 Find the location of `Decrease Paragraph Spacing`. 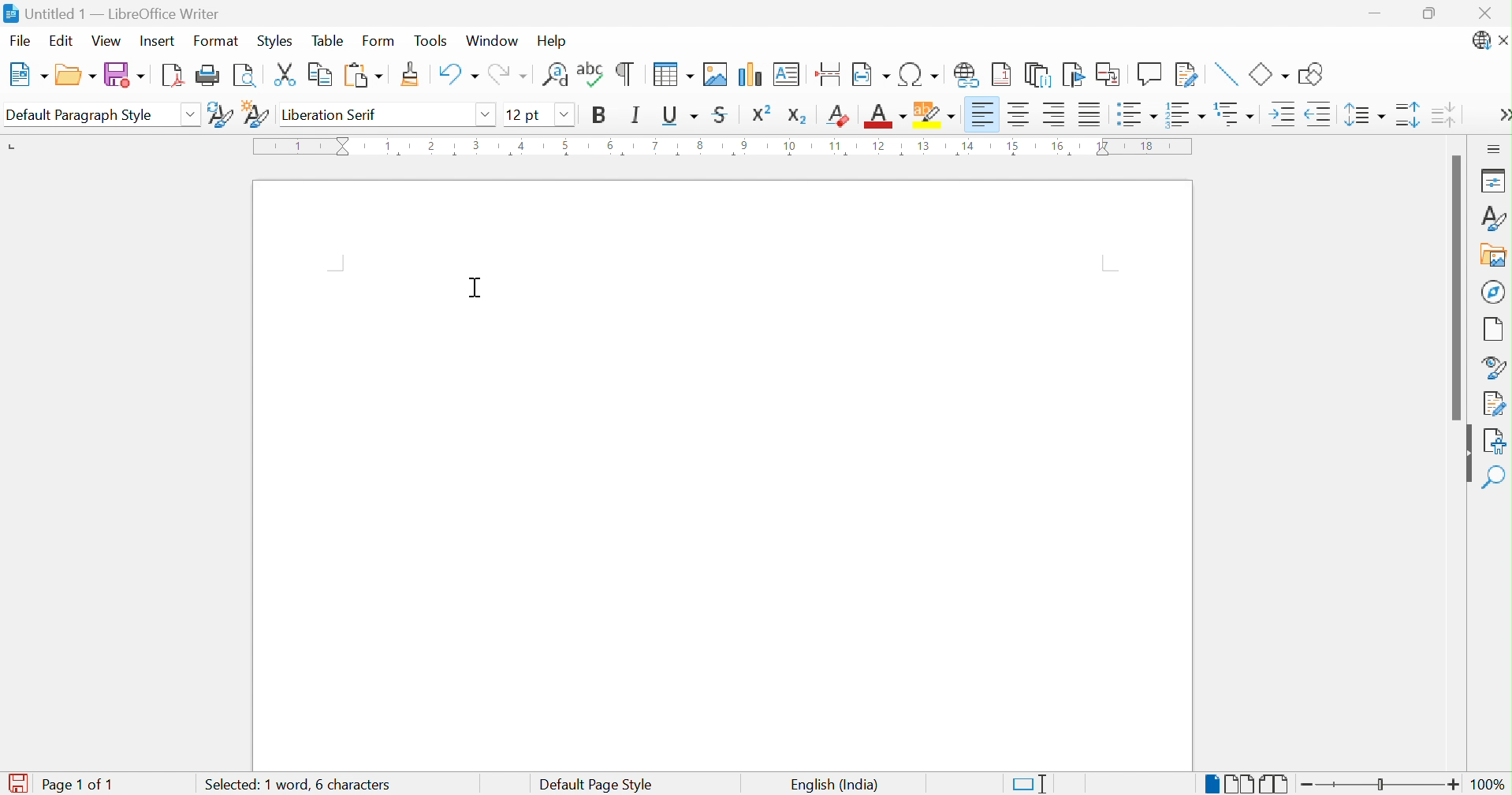

Decrease Paragraph Spacing is located at coordinates (1446, 114).